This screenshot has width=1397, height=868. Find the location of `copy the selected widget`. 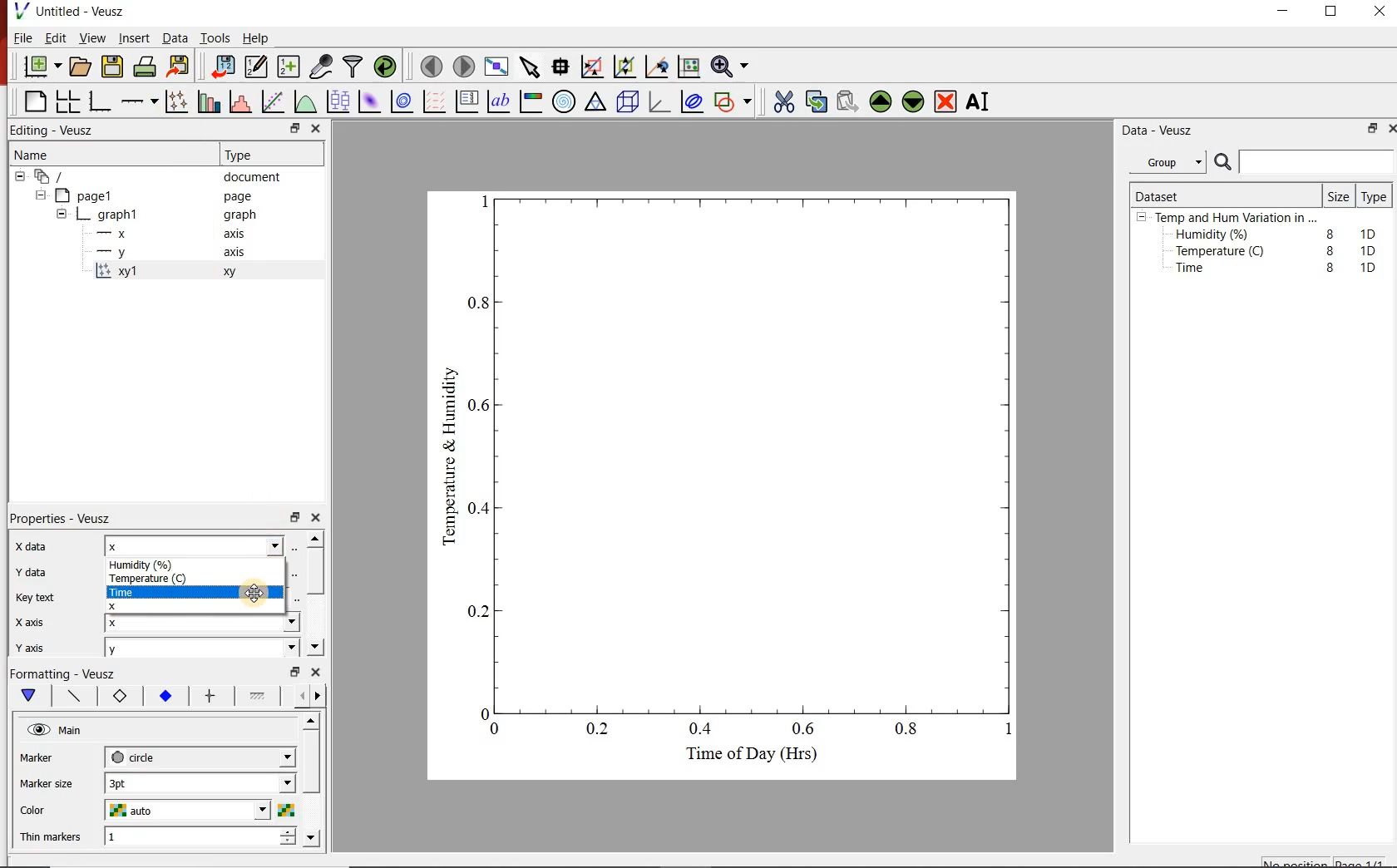

copy the selected widget is located at coordinates (816, 101).